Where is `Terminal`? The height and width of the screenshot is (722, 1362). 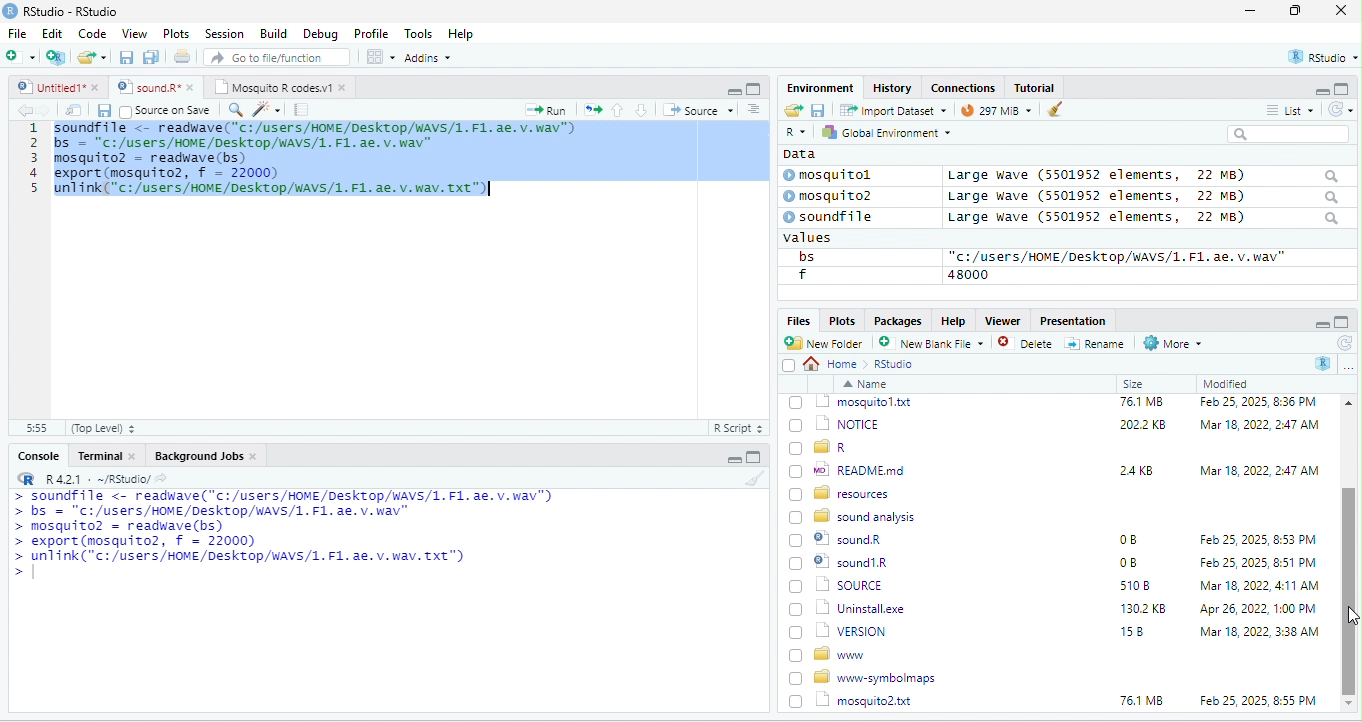 Terminal is located at coordinates (107, 455).